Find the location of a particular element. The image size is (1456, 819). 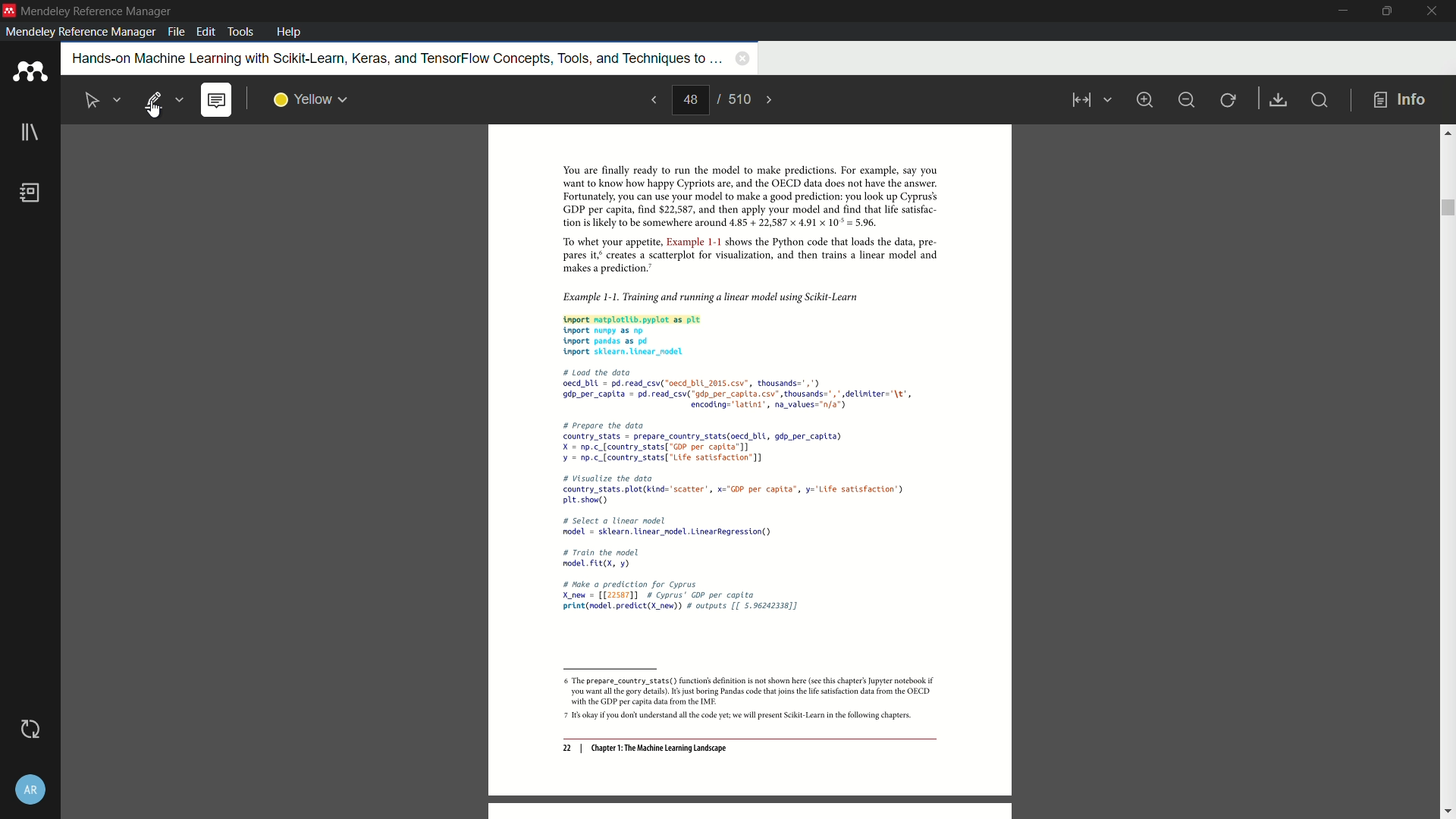

# Load the data

oecd_bUL = pd. read_csv("oecd_bLL 2015.csv”, thousands=",")

9dp_per_captta = pd.read_csv("gdp_per capita. csv’, thousands=",* delintter="\t',
encoding="latini’, na_values="n/a")

# prepare the data

country_stats = prepare_country_stats(aecd bli, gdp_per capita)

X = np.c_[country_stats[ "GOP per captta’]]

¥ = np.c_(country_stats[ "Life satisfaction]

# Visualize the dota

country_stats. plot(kind="scatter, x="G0P per capita”, y='Life satisfaction’)

pt. show()

# select a linear nodel

nodel = sklearn. linear_nodel. LinearRegression()

# Train the model

nodelFLL(X, ¥)

# Nake a prediction for Cyprus

X_new = [[22567]] # Cyprus’ GOP per capita

print(nodel.predict(X new) # outputs [[ 5.96242338]] is located at coordinates (739, 493).